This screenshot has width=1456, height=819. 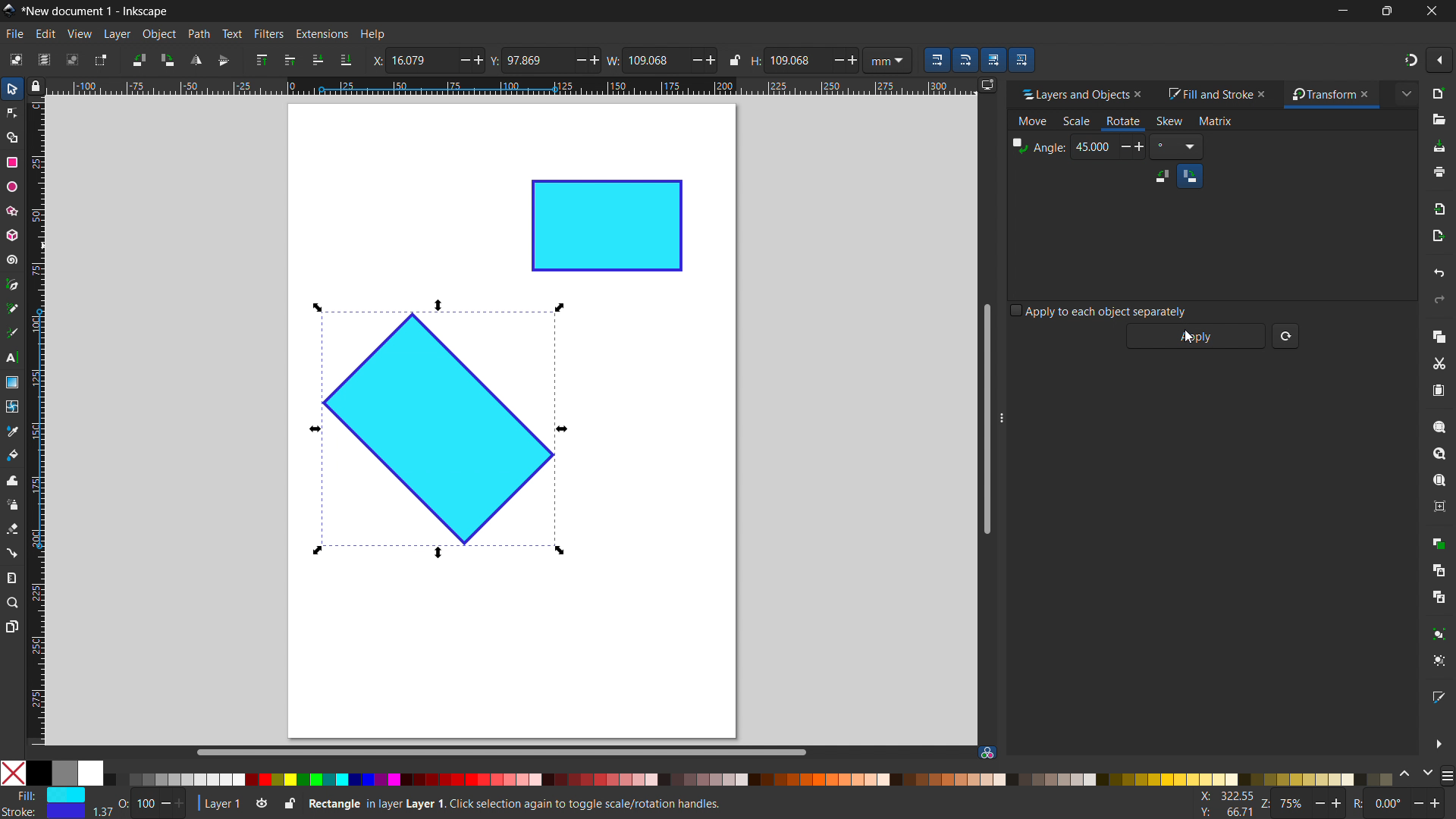 I want to click on apply to each object separately, so click(x=1099, y=310).